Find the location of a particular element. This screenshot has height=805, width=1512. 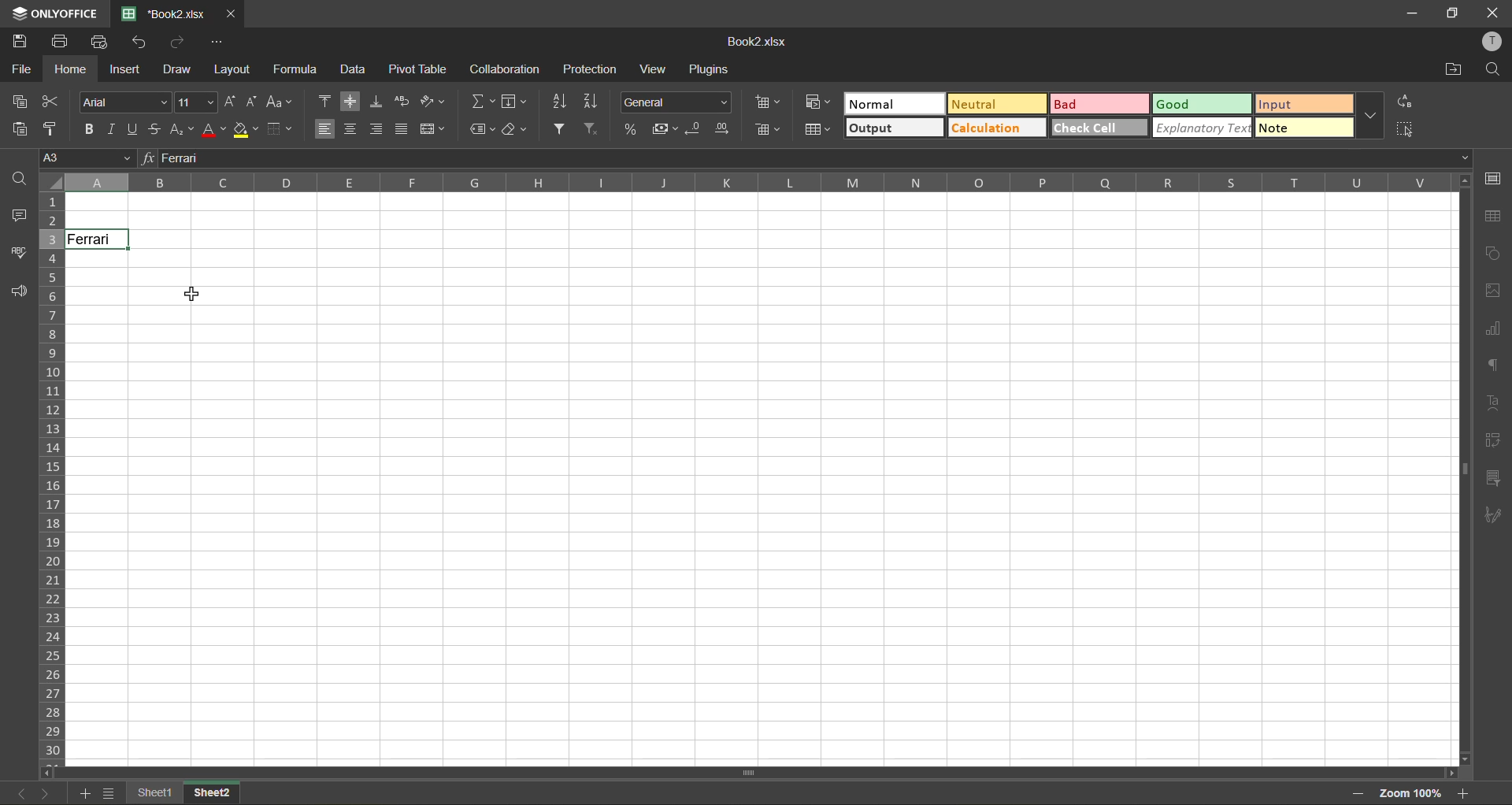

add sheet is located at coordinates (82, 794).